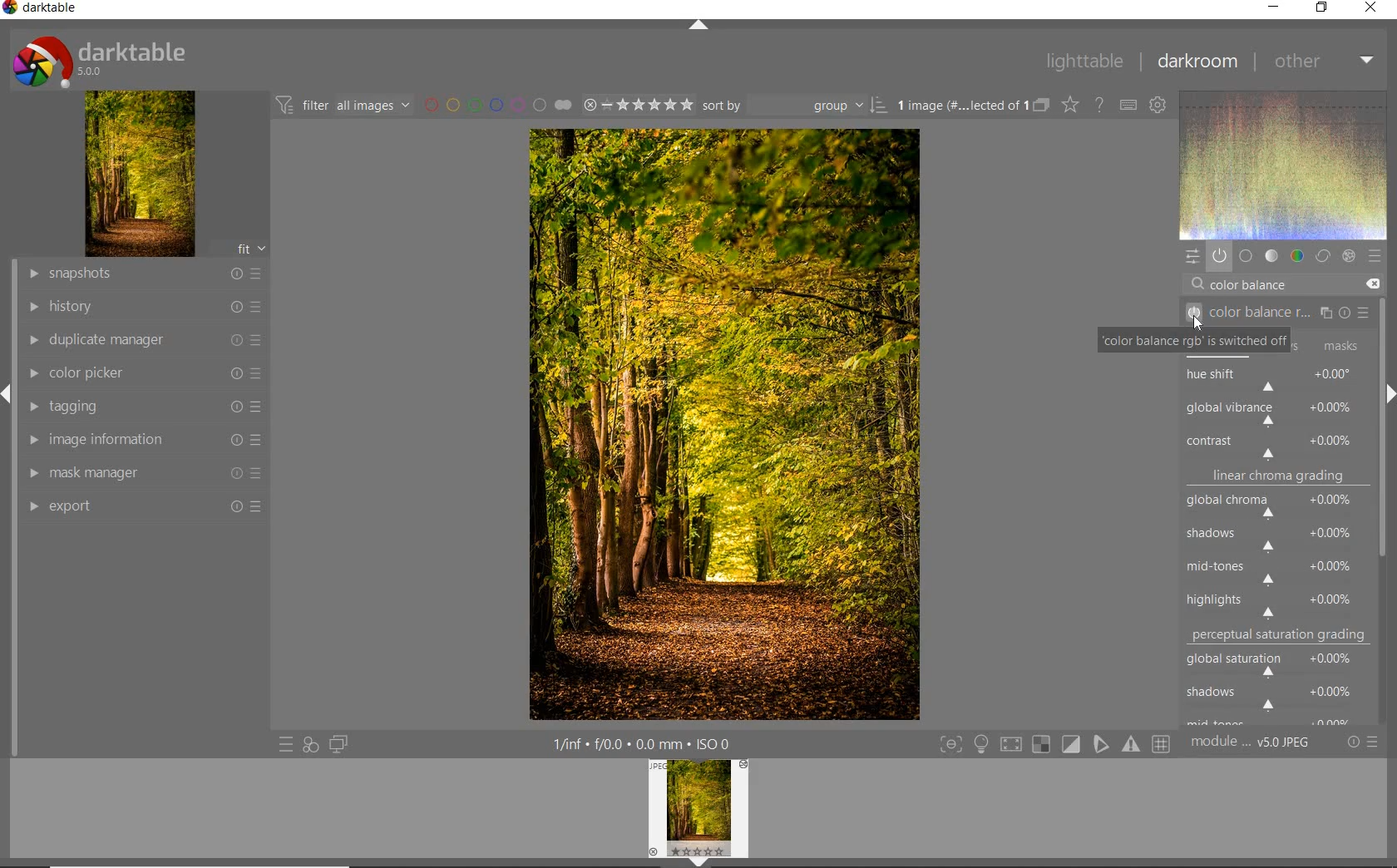  Describe the element at coordinates (1278, 662) in the screenshot. I see `global saturation` at that location.